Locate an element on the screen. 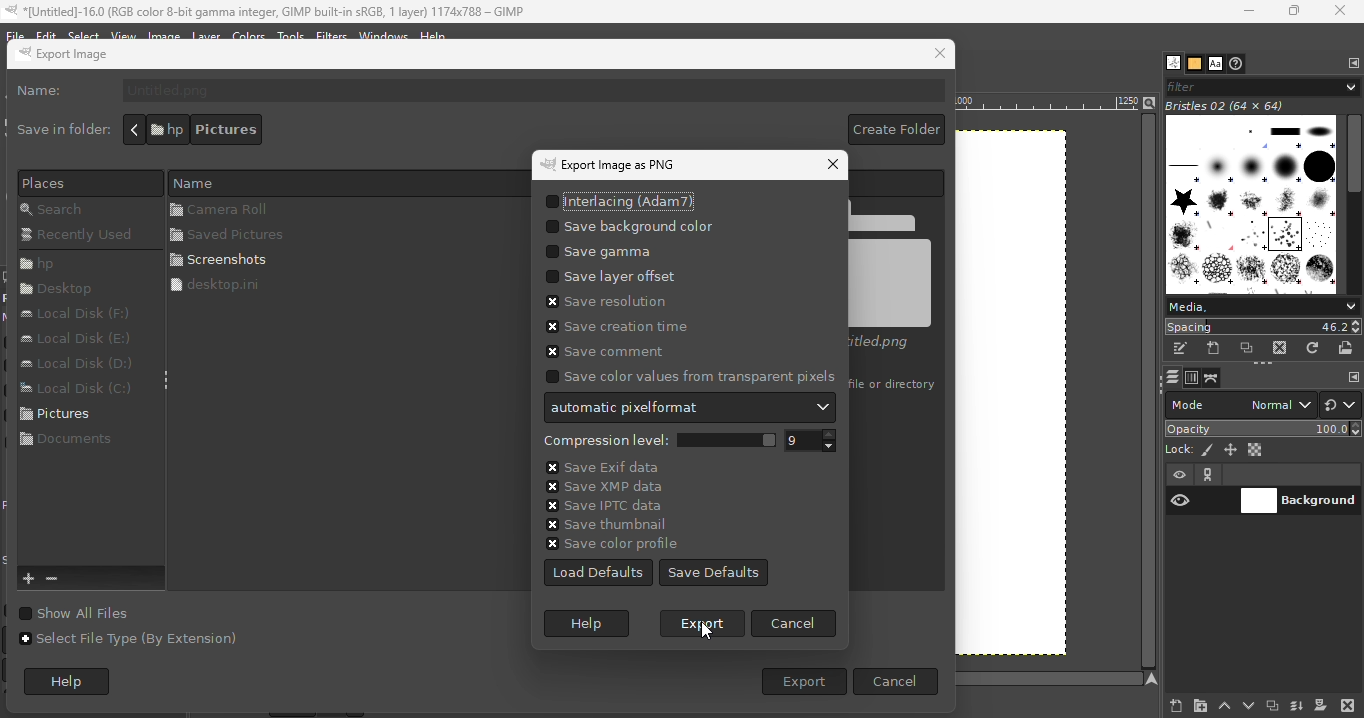  Save PTC data is located at coordinates (600, 502).